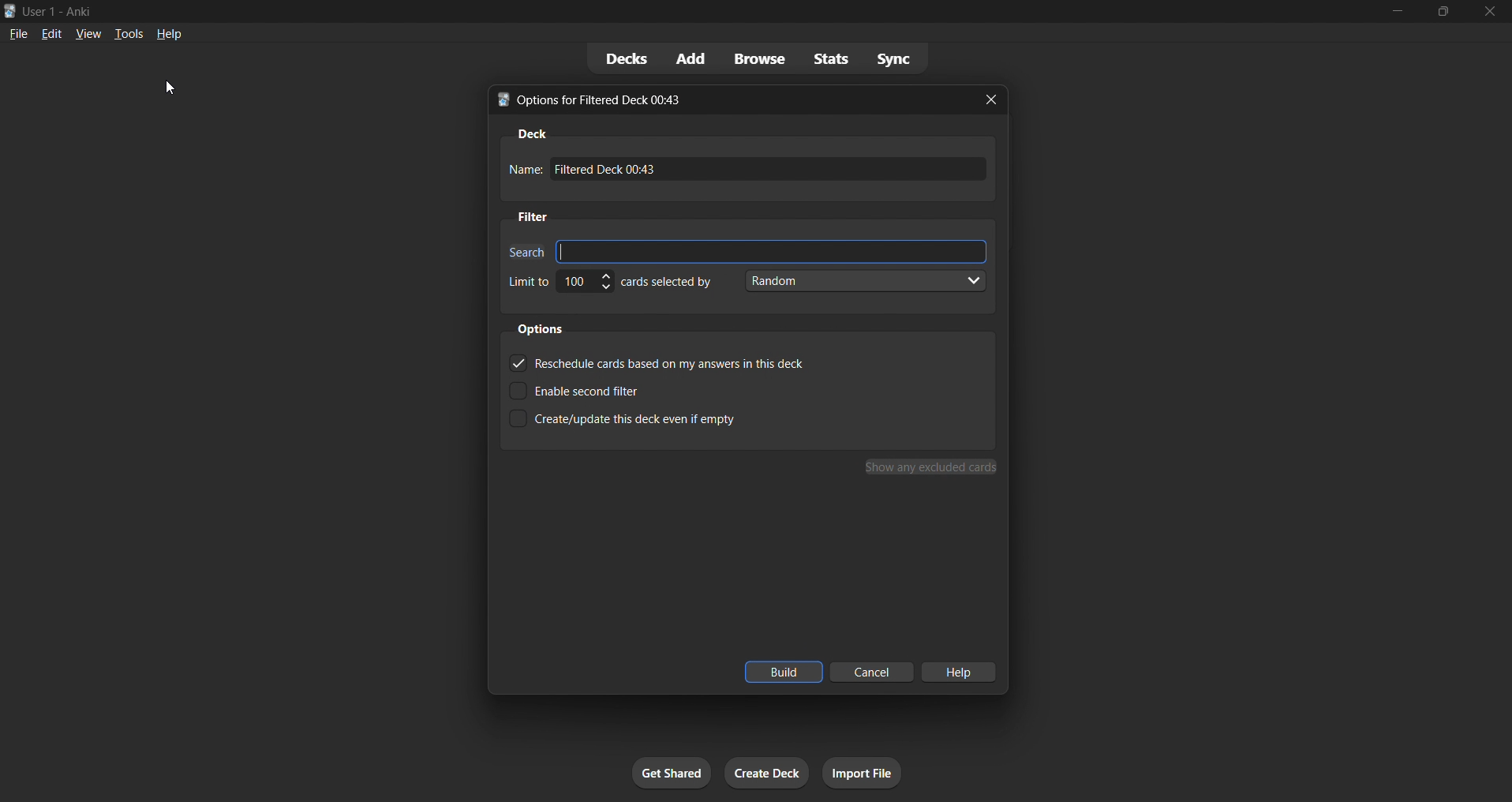 This screenshot has height=802, width=1512. What do you see at coordinates (1489, 12) in the screenshot?
I see `close` at bounding box center [1489, 12].